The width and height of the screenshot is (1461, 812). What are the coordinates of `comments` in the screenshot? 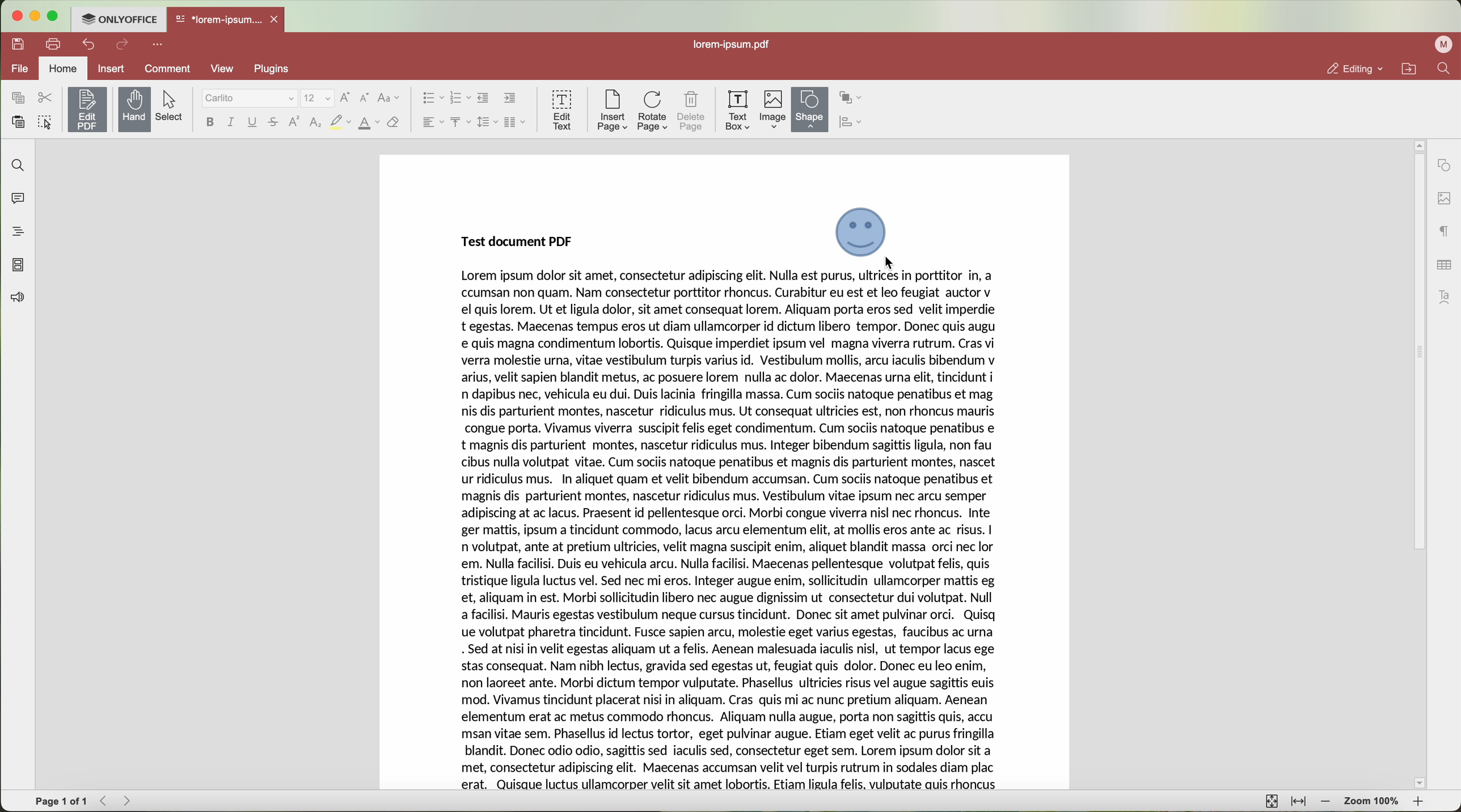 It's located at (17, 201).